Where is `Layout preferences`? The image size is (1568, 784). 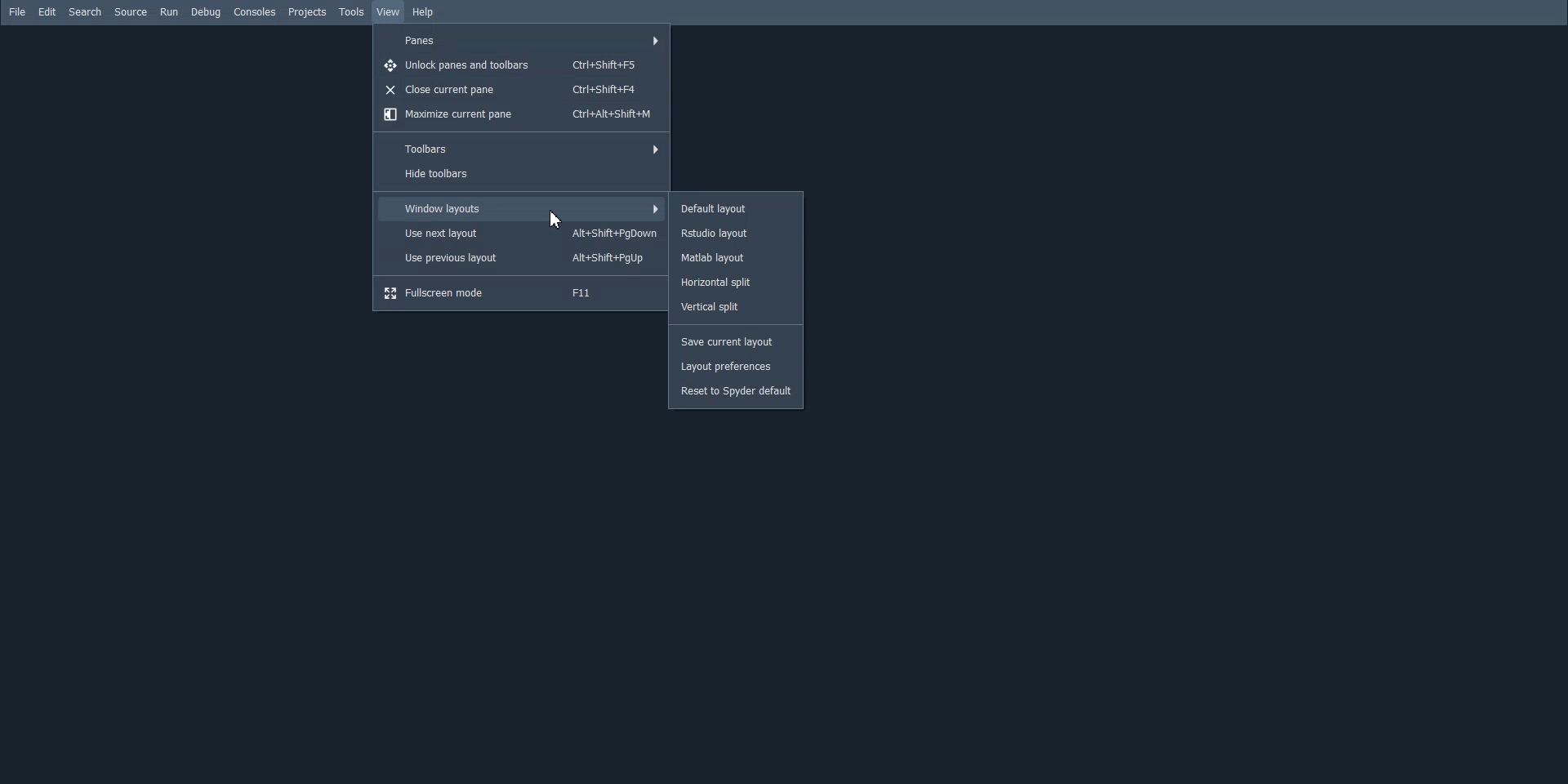
Layout preferences is located at coordinates (737, 367).